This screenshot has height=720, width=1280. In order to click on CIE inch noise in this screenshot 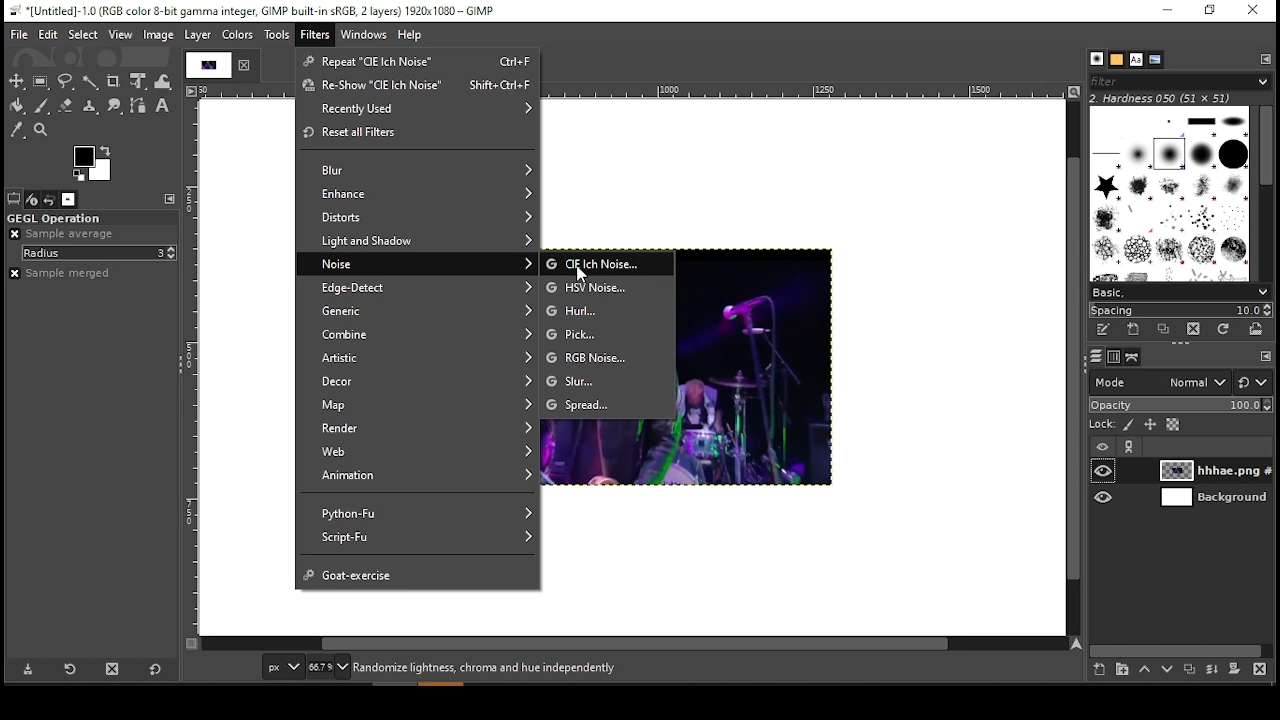, I will do `click(605, 264)`.